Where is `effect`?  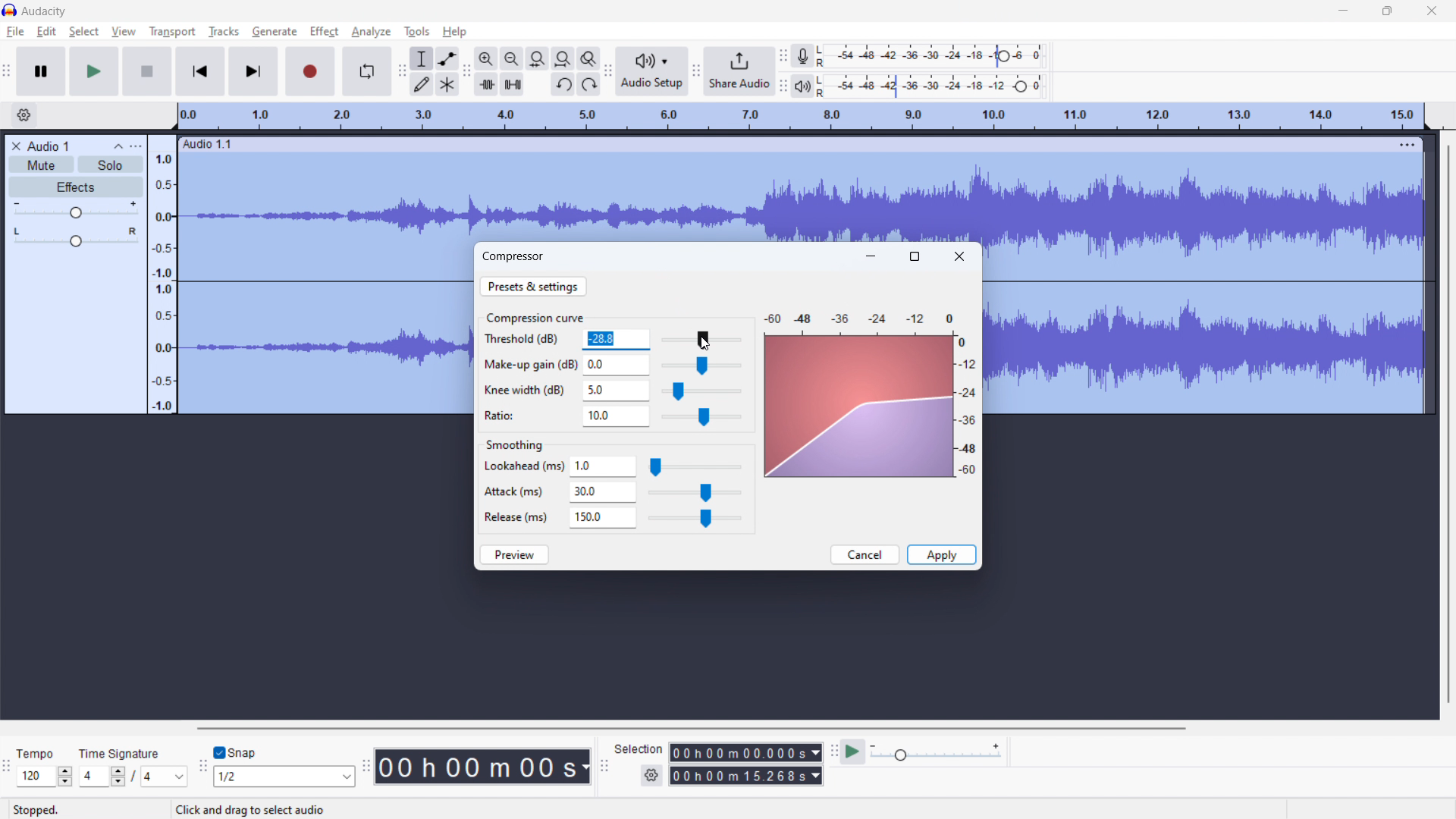 effect is located at coordinates (325, 32).